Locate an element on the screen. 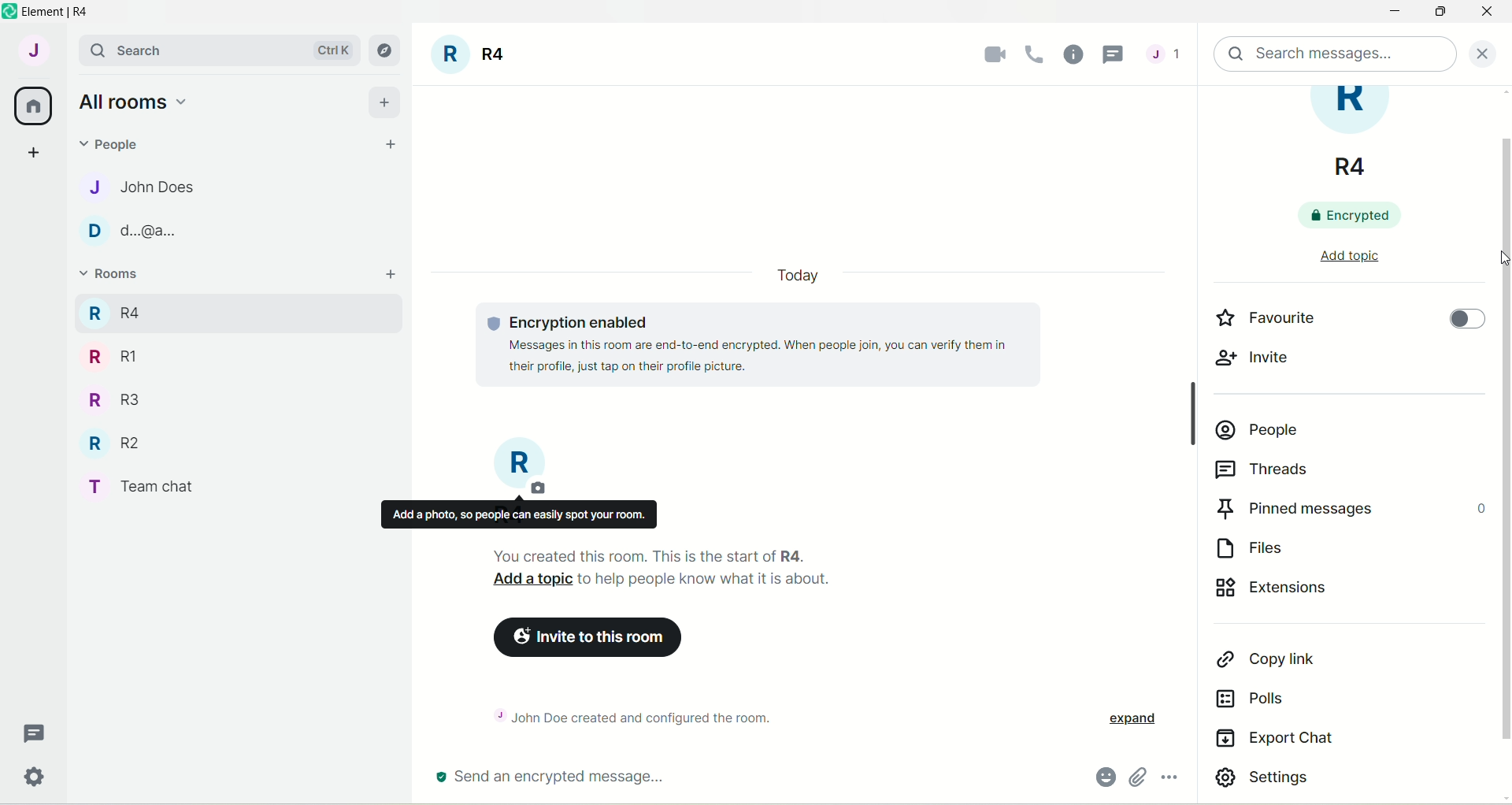 This screenshot has height=805, width=1512. threads is located at coordinates (1269, 470).